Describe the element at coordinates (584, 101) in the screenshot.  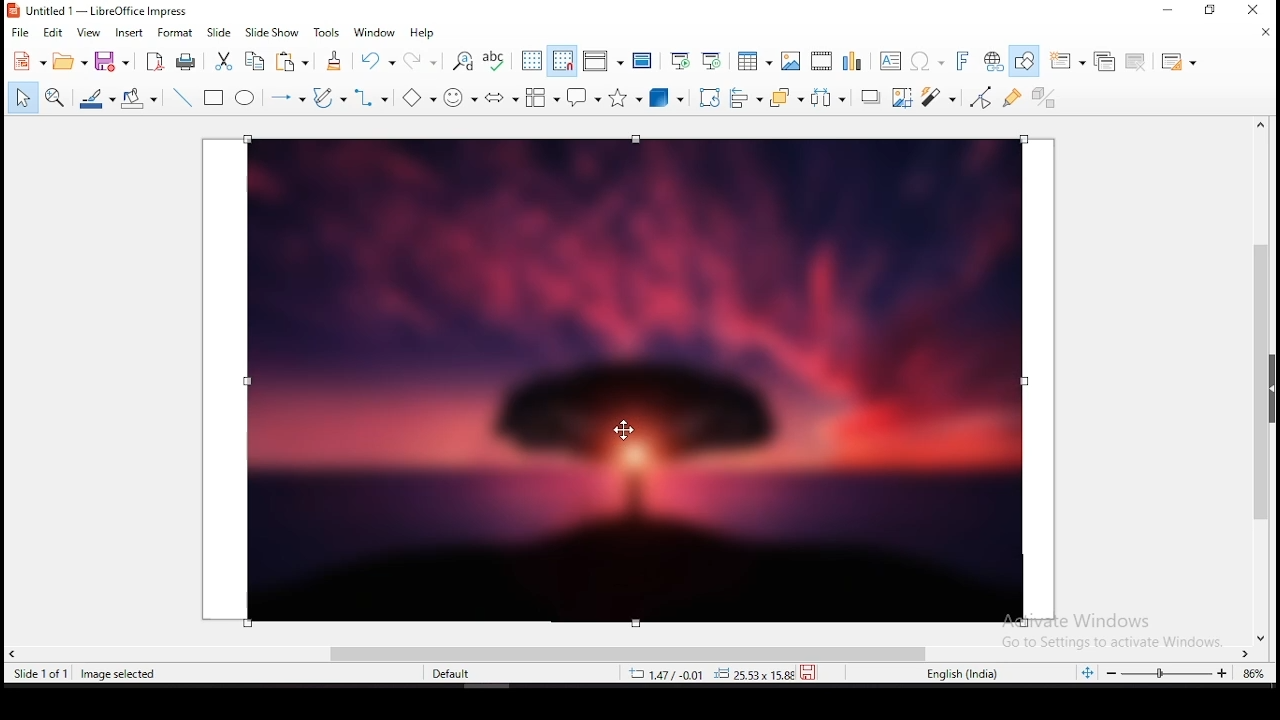
I see `callout shape` at that location.